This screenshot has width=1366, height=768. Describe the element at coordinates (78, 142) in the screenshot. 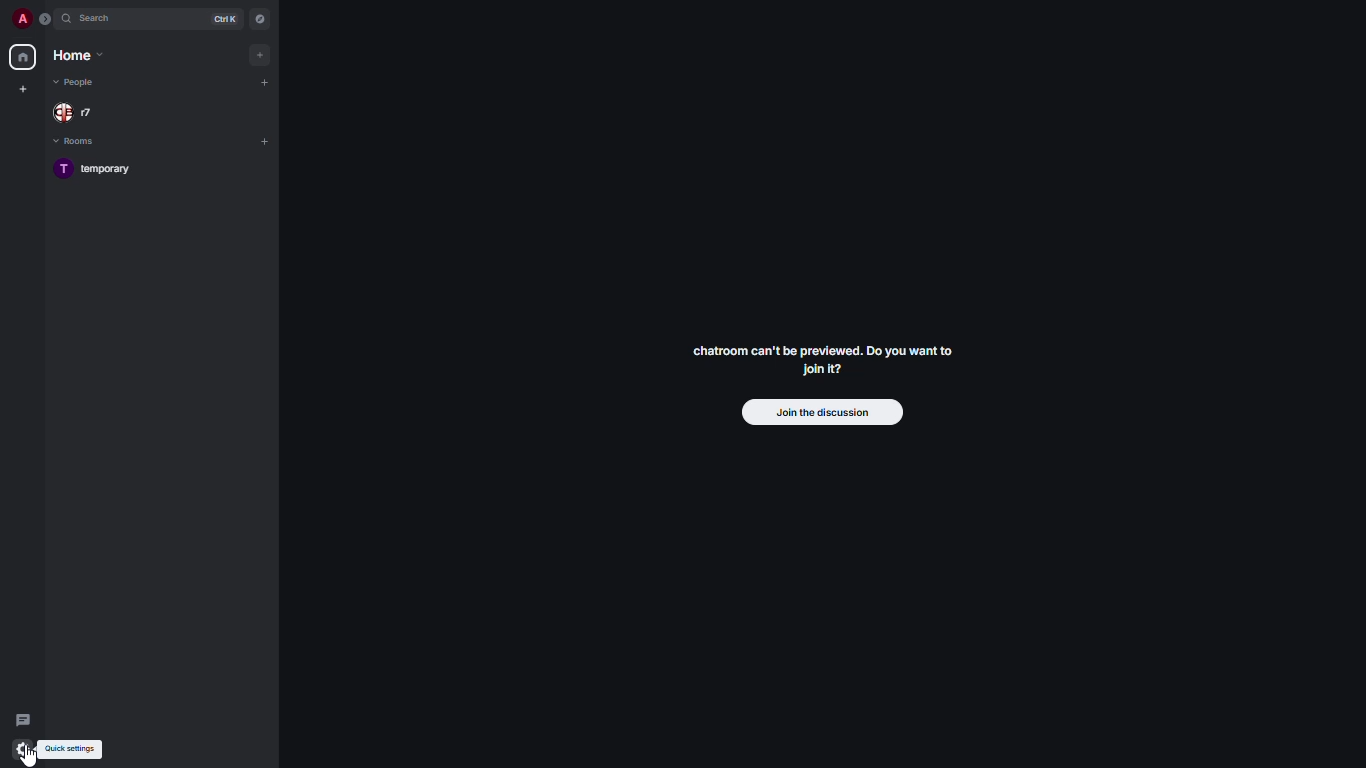

I see `rooms` at that location.